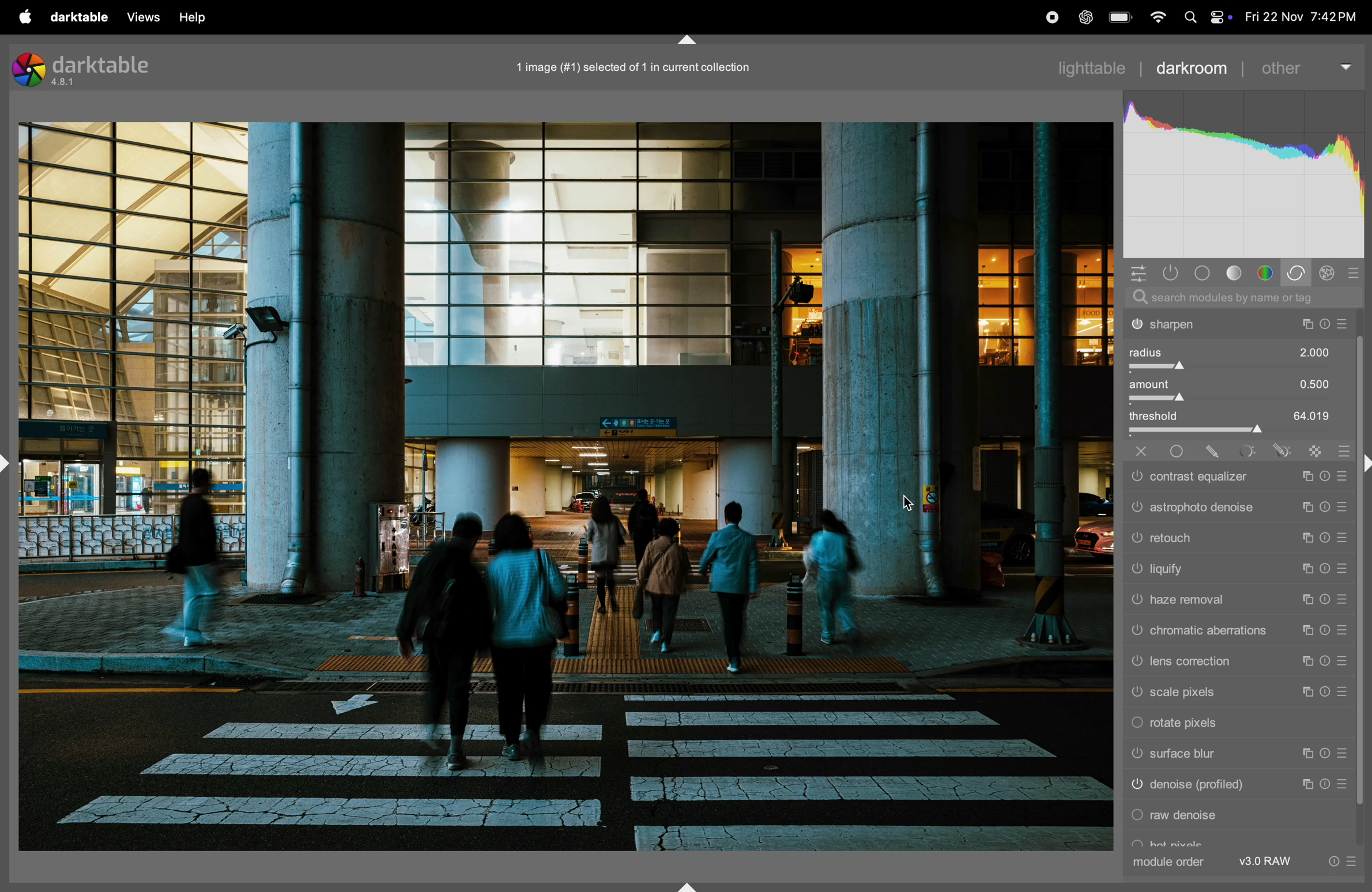 This screenshot has width=1372, height=892. Describe the element at coordinates (1201, 273) in the screenshot. I see `base` at that location.